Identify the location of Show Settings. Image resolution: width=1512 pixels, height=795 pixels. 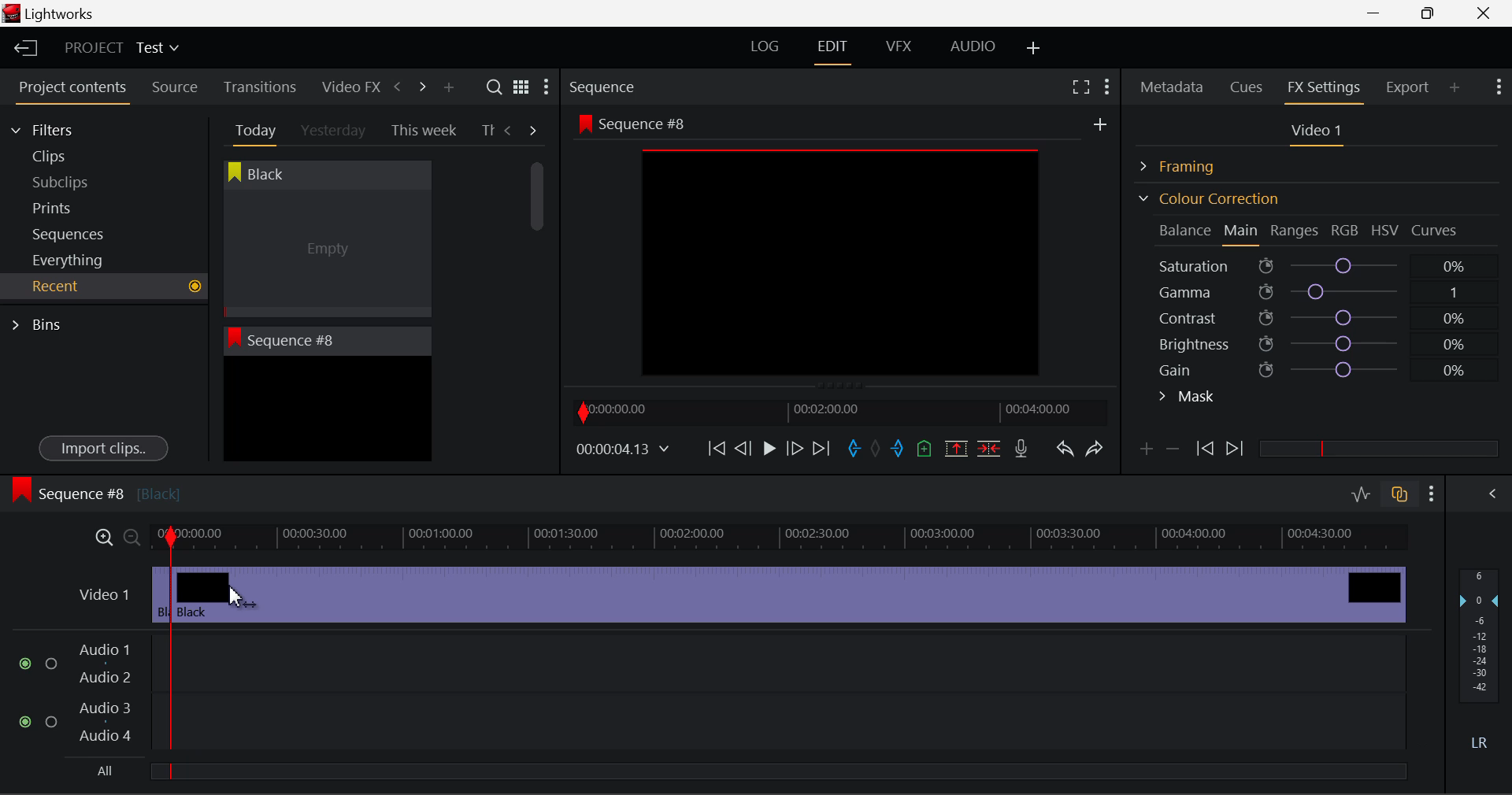
(545, 91).